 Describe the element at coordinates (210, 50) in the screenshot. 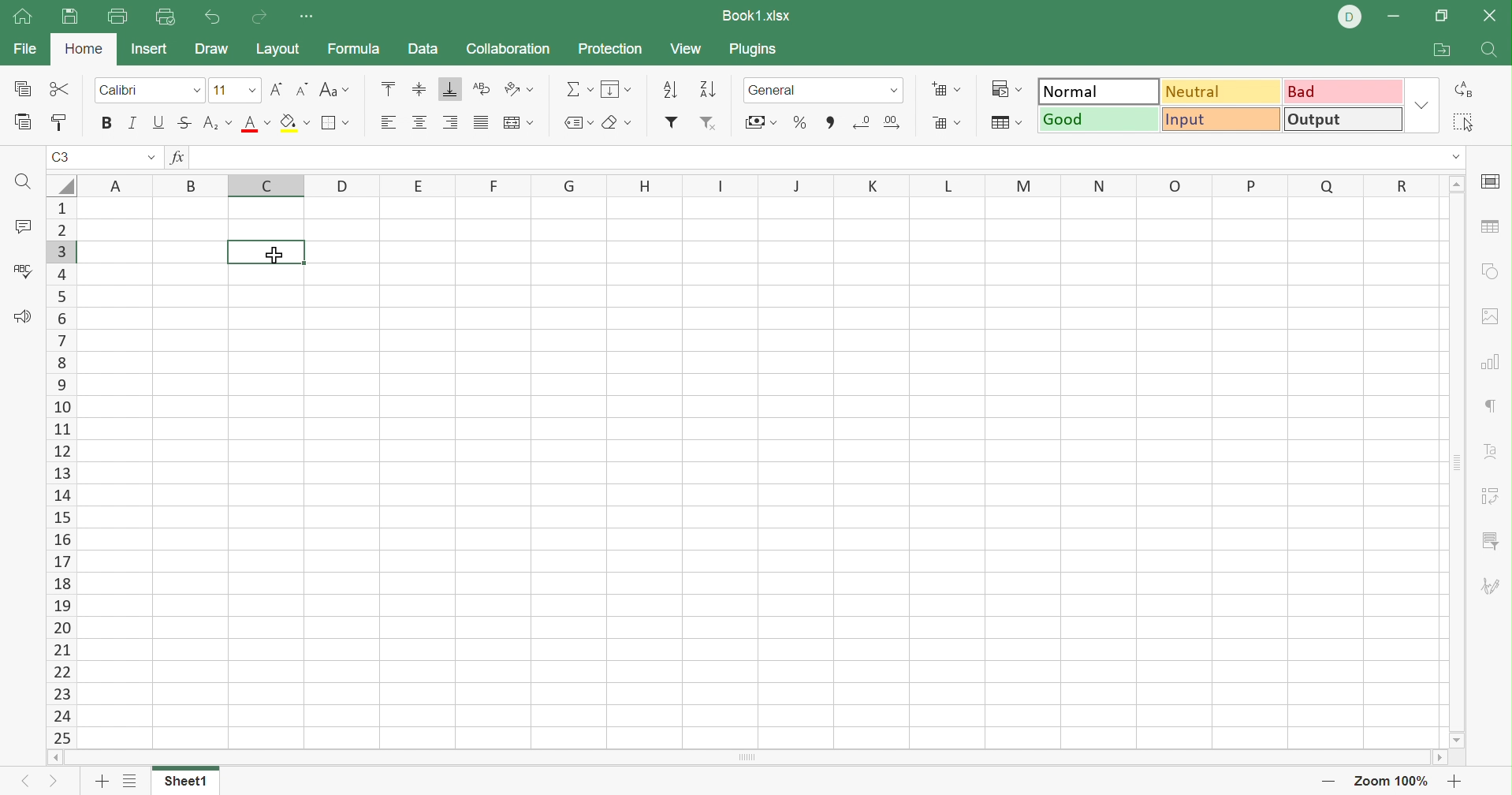

I see `Draw` at that location.